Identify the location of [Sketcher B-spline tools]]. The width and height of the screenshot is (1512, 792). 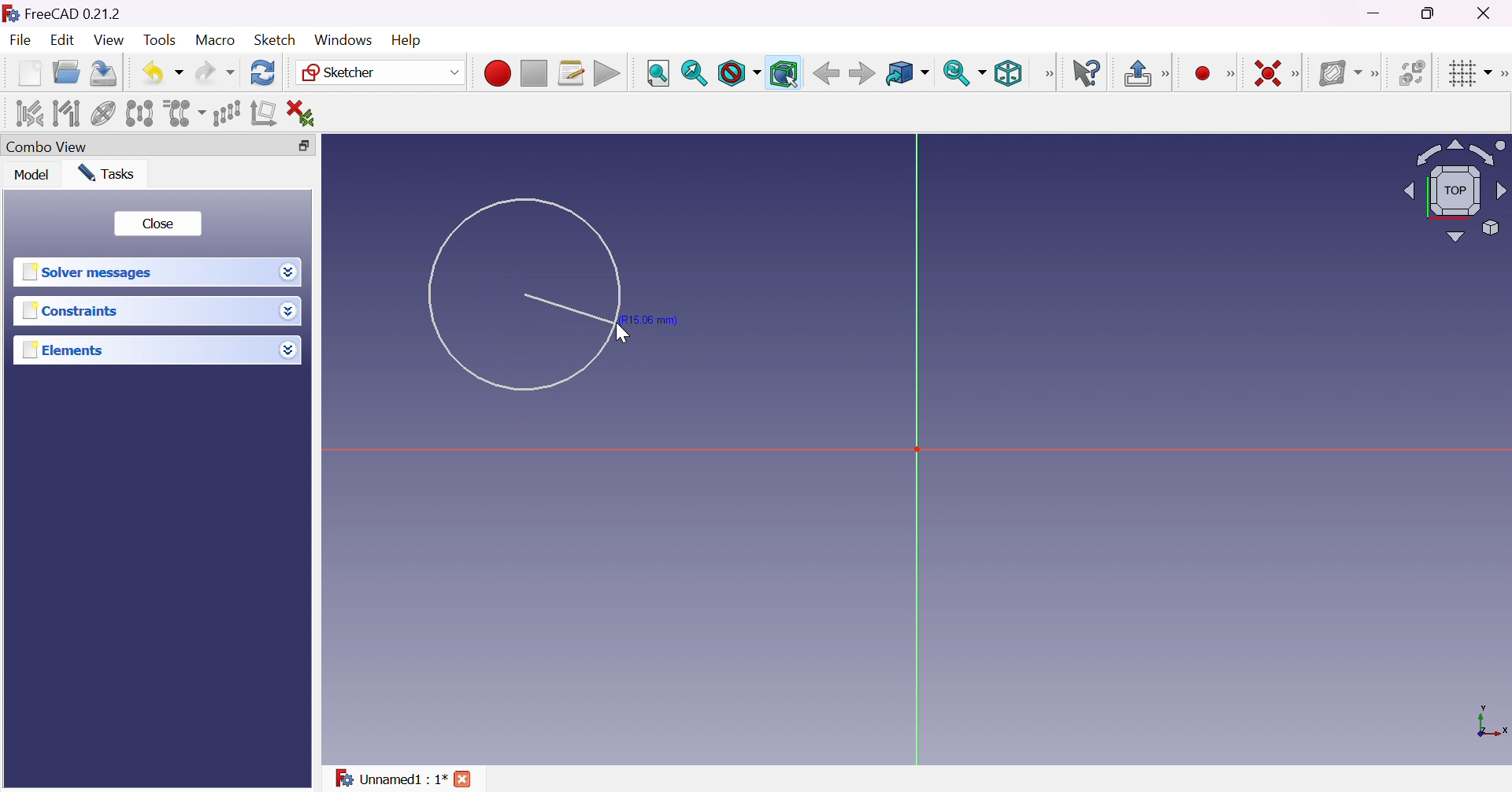
(1379, 74).